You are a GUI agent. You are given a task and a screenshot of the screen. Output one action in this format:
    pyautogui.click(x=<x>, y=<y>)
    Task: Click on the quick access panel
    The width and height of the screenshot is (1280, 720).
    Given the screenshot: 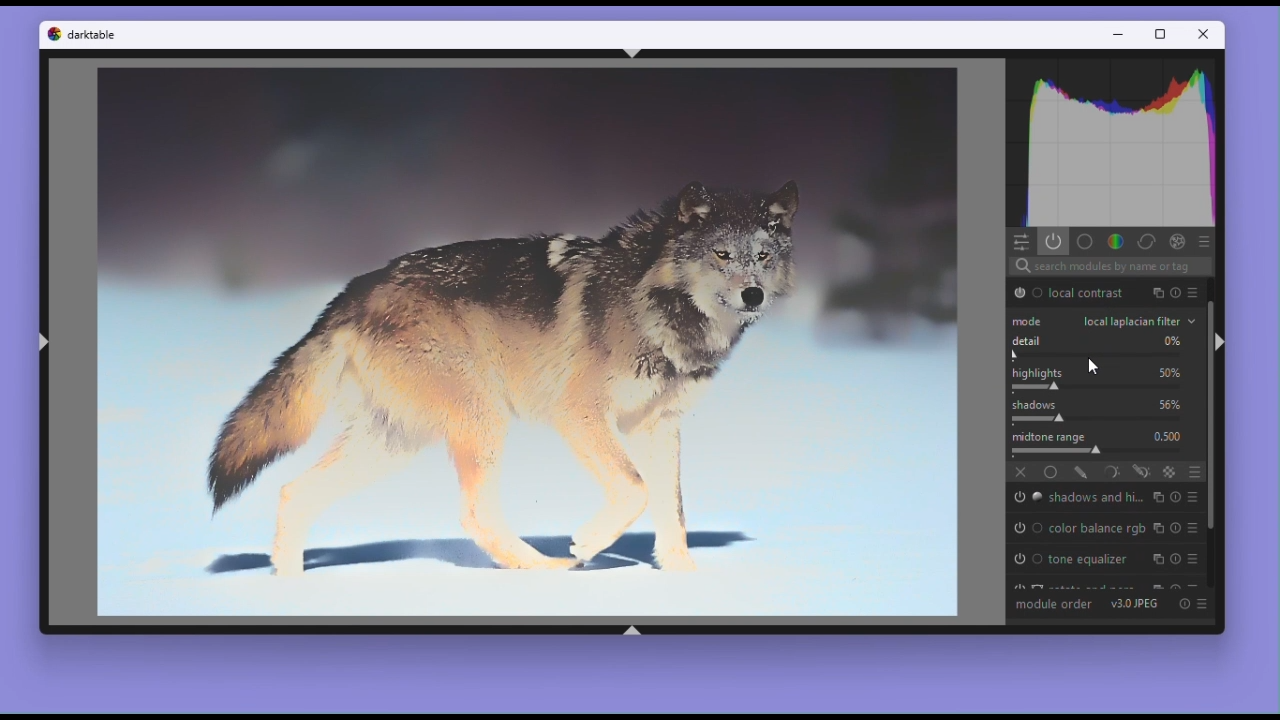 What is the action you would take?
    pyautogui.click(x=1024, y=242)
    